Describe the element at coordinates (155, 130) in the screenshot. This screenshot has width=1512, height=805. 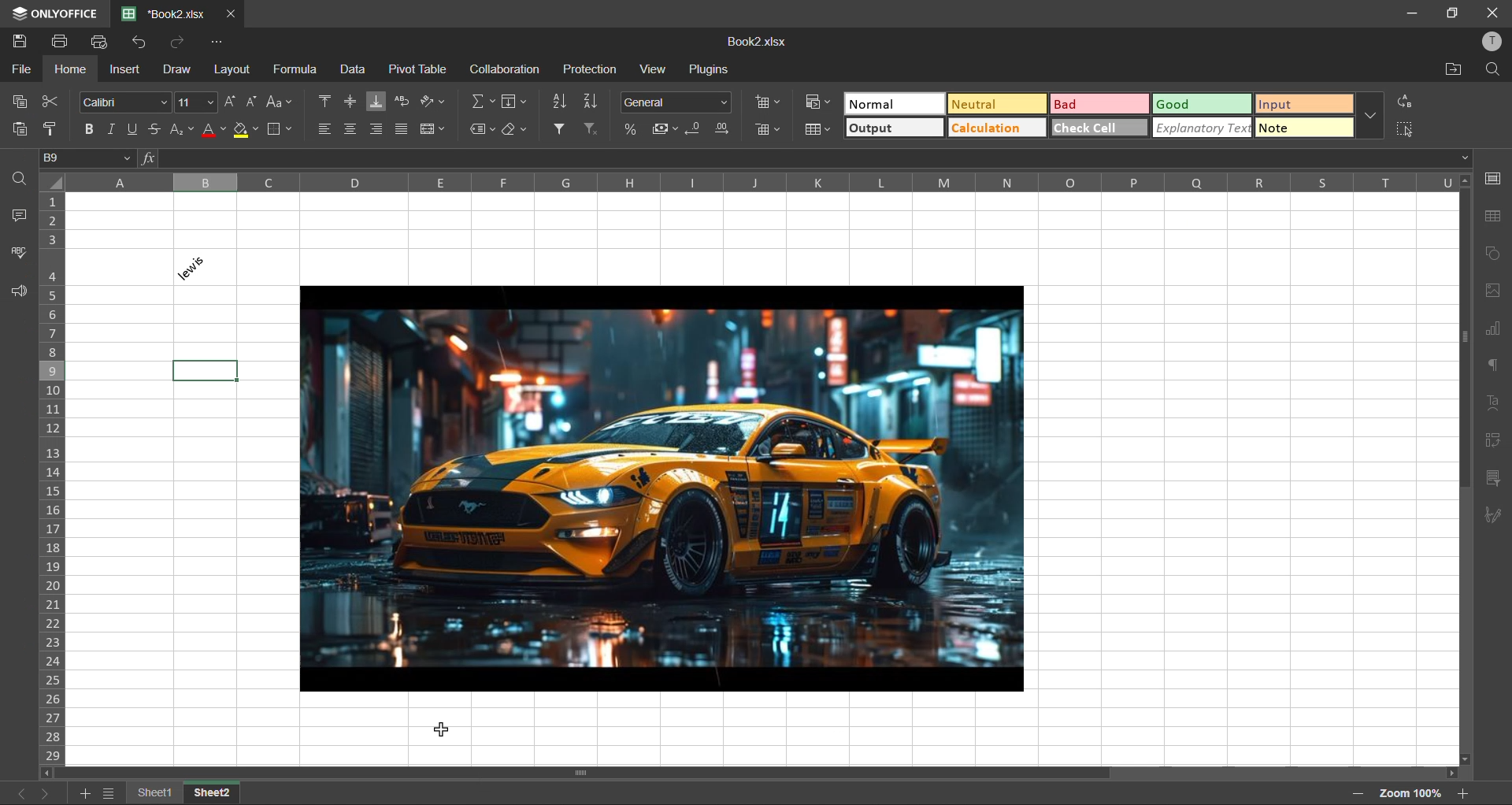
I see `strikethrough` at that location.